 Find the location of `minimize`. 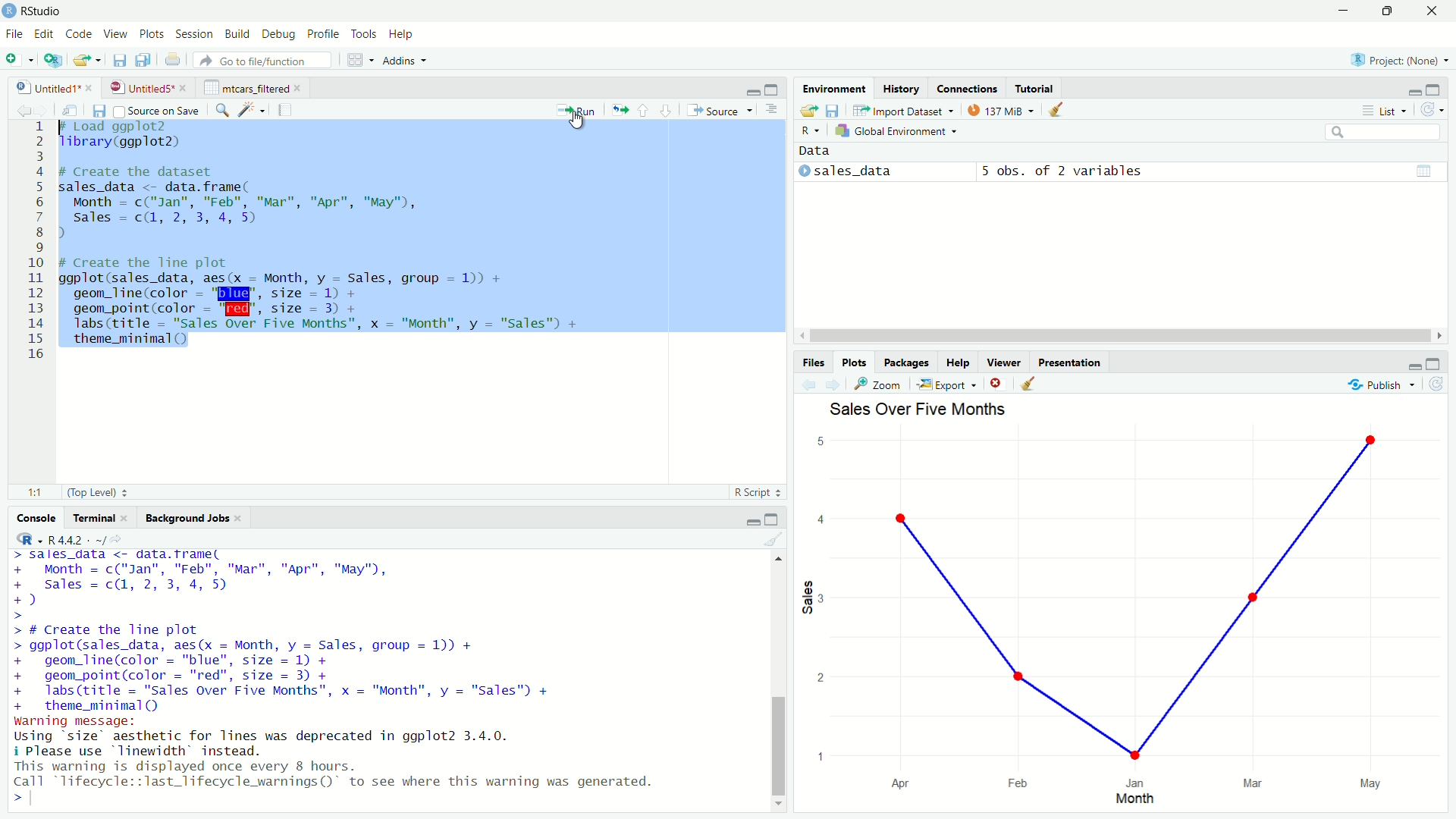

minimize is located at coordinates (750, 521).